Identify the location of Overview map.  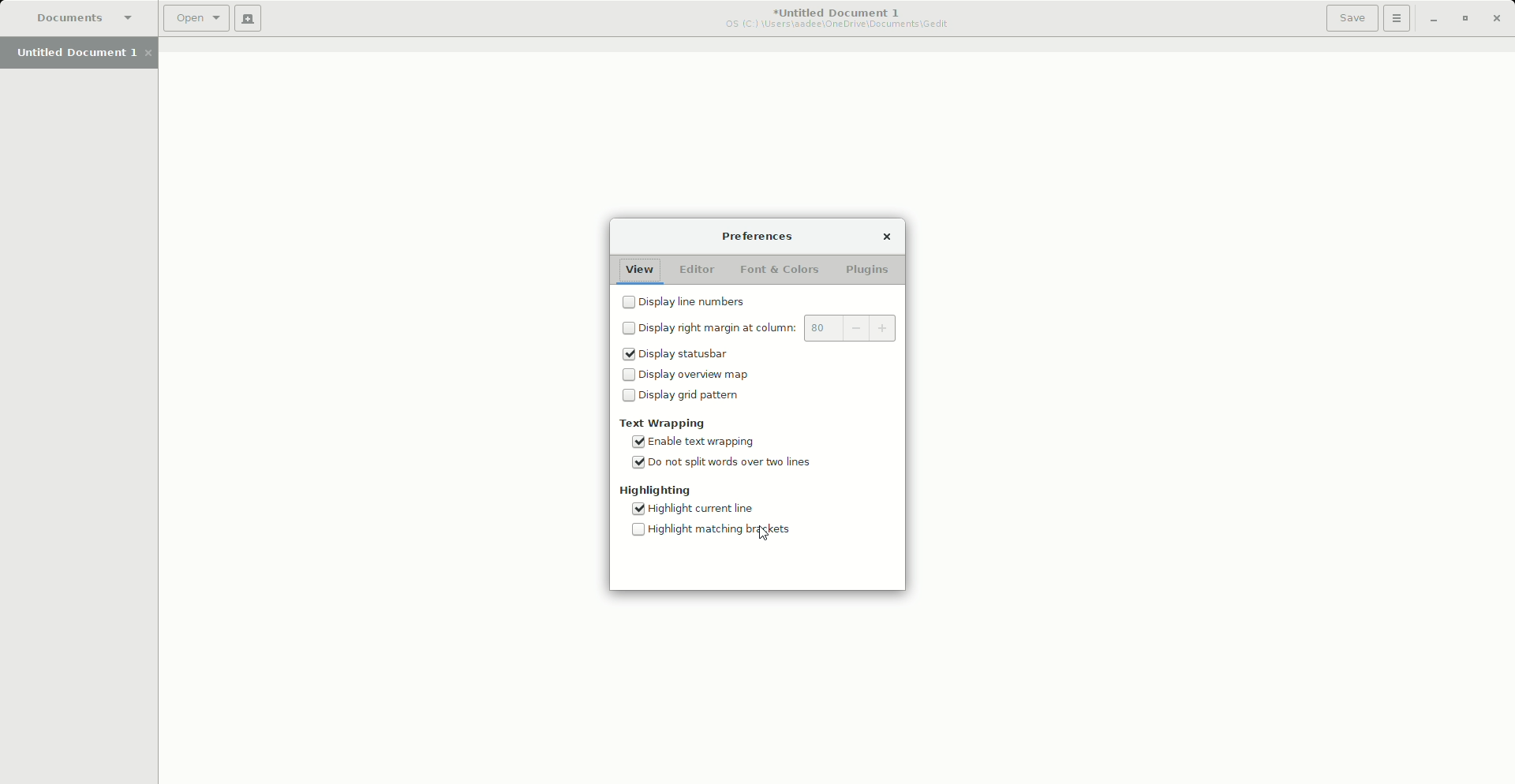
(686, 376).